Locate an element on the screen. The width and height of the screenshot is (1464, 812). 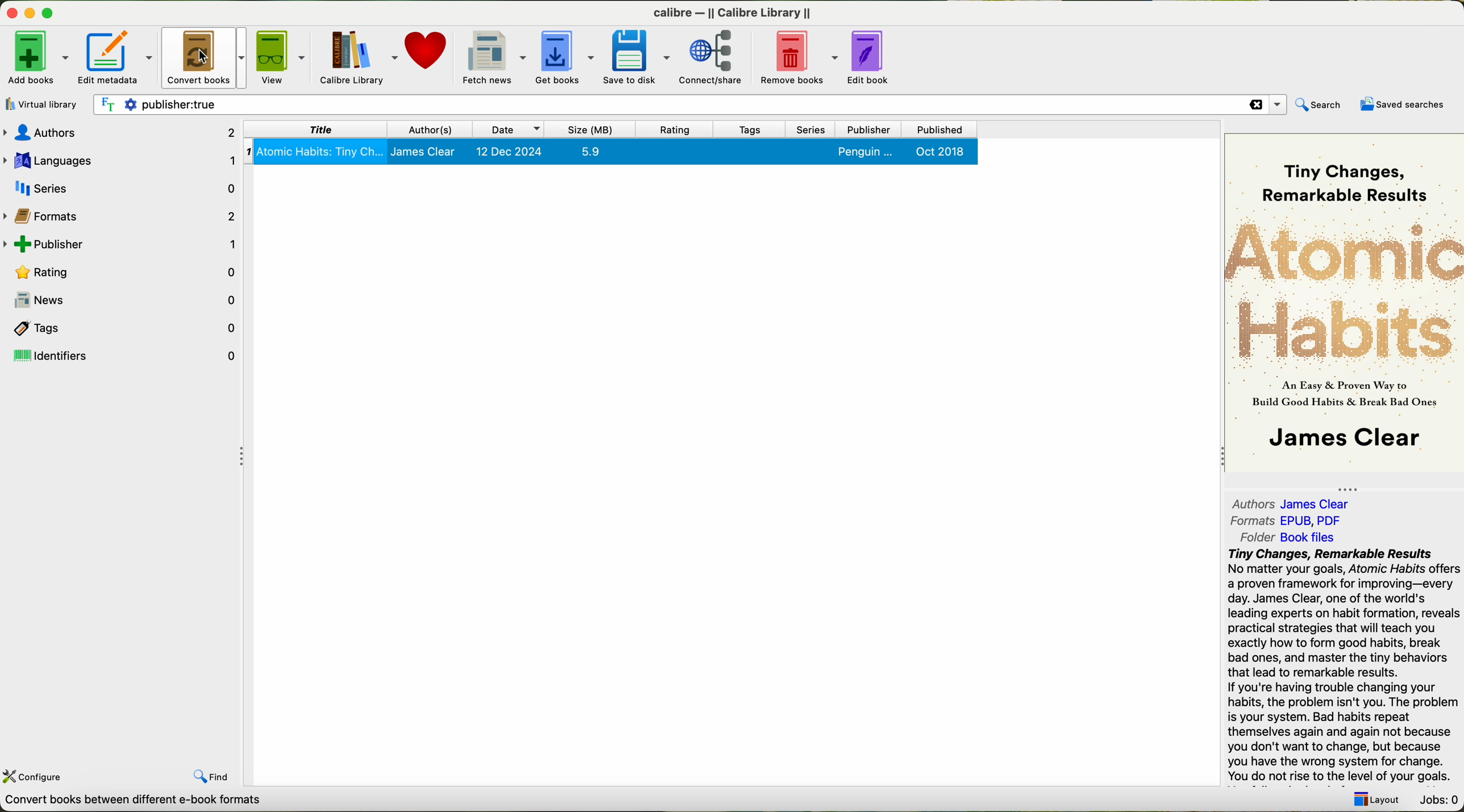
tags is located at coordinates (124, 329).